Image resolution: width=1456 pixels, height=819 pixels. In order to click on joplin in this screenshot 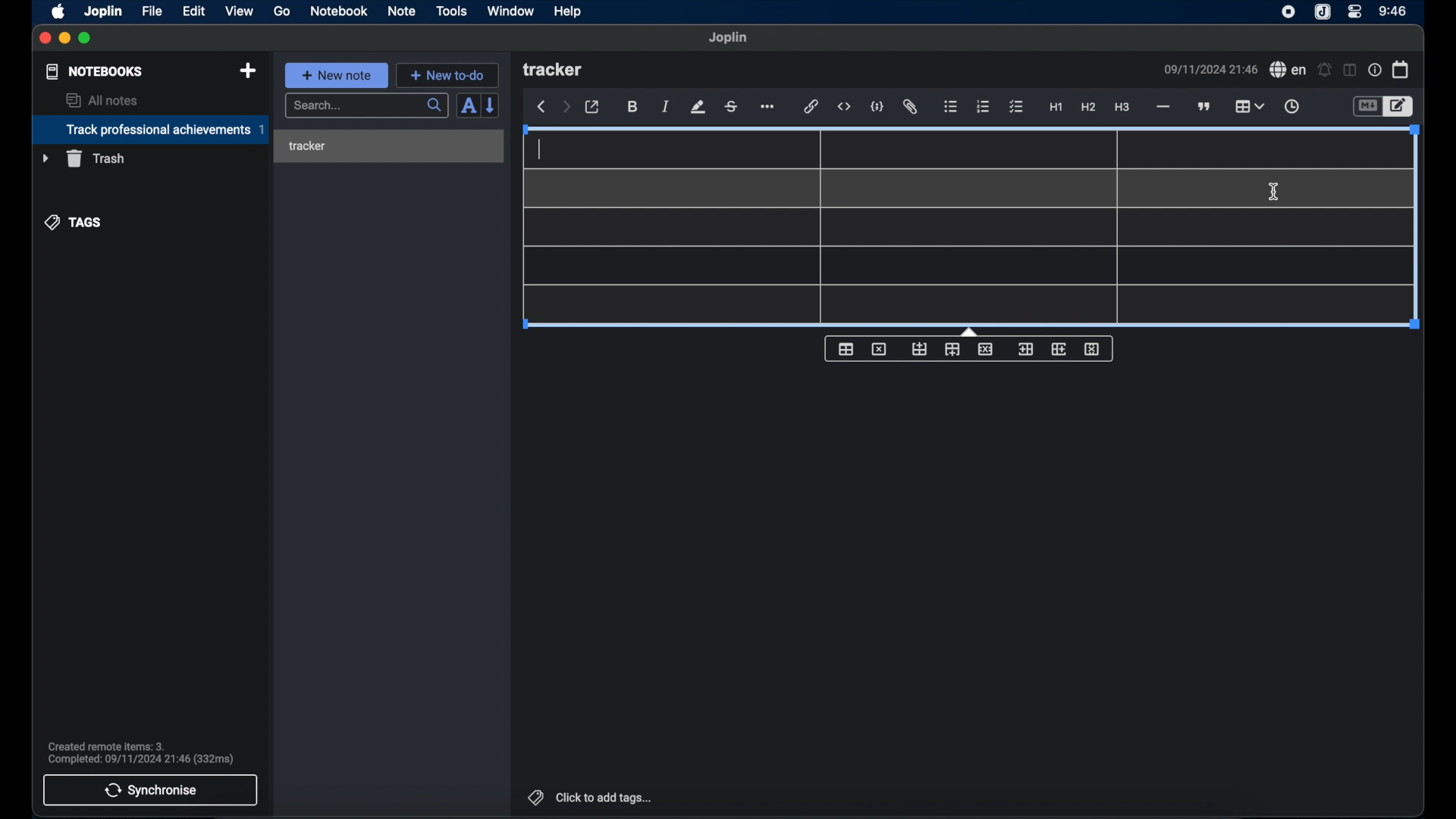, I will do `click(104, 11)`.